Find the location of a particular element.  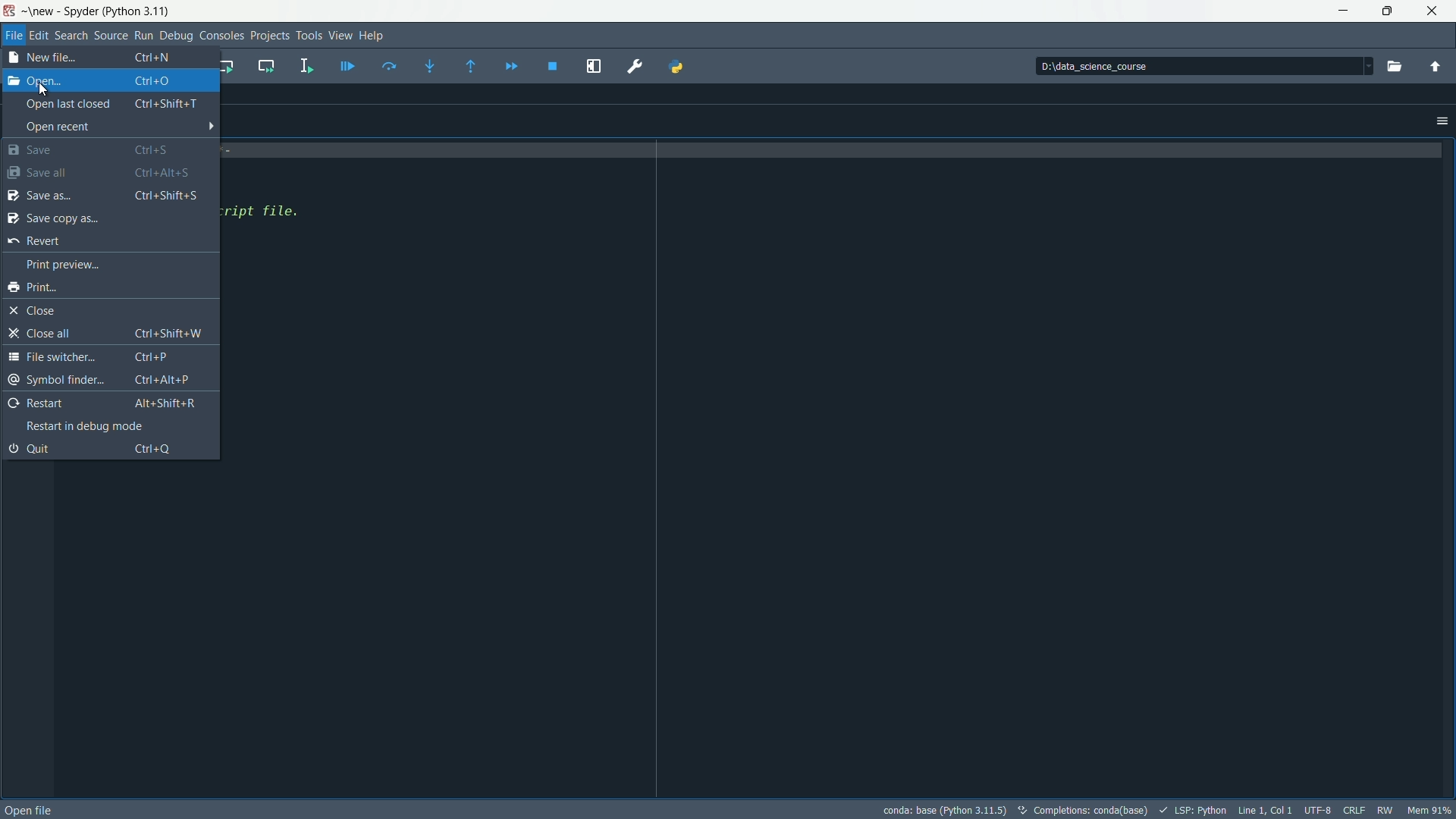

edit menu is located at coordinates (39, 35).